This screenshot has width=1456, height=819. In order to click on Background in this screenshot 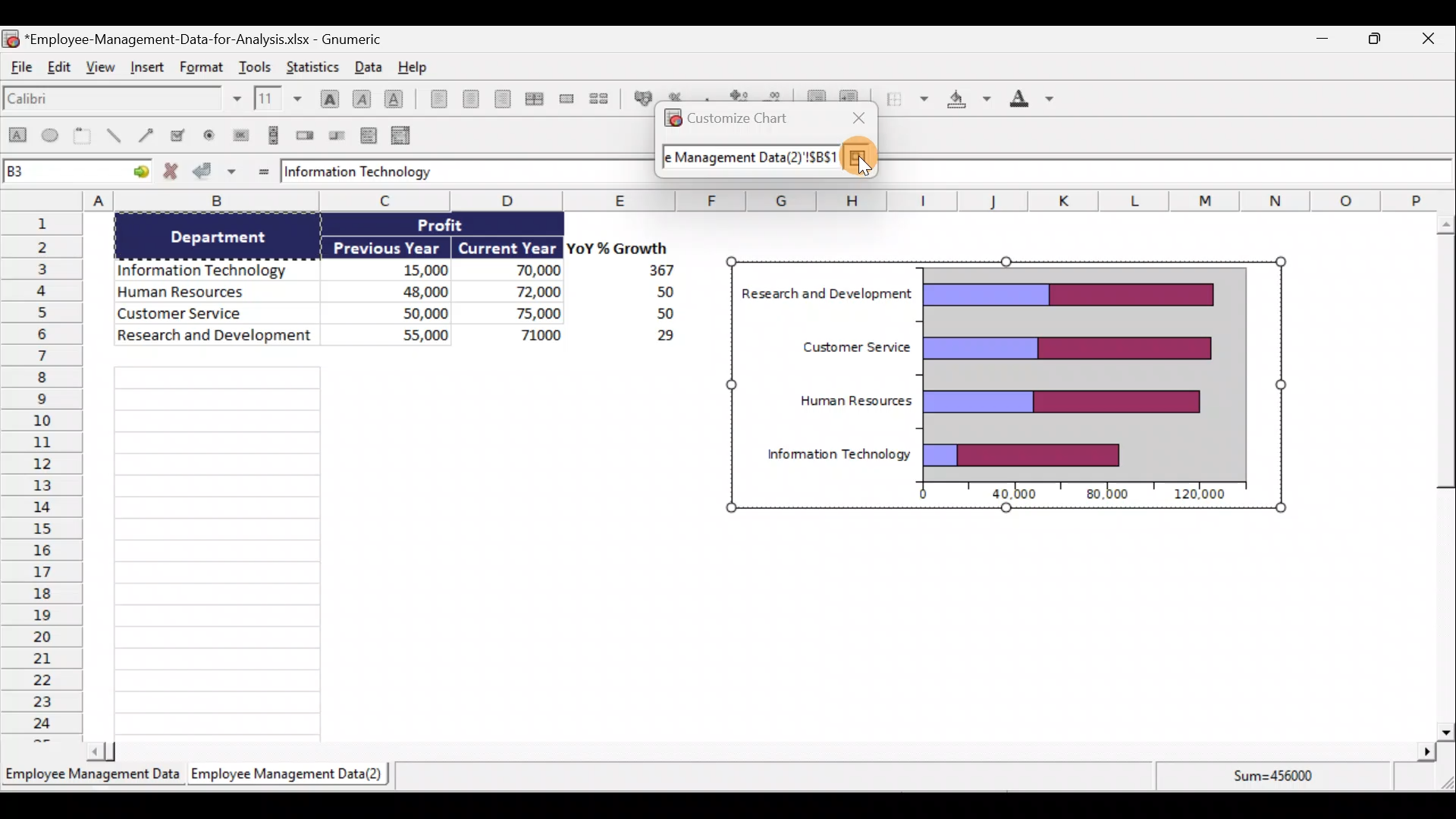, I will do `click(968, 102)`.